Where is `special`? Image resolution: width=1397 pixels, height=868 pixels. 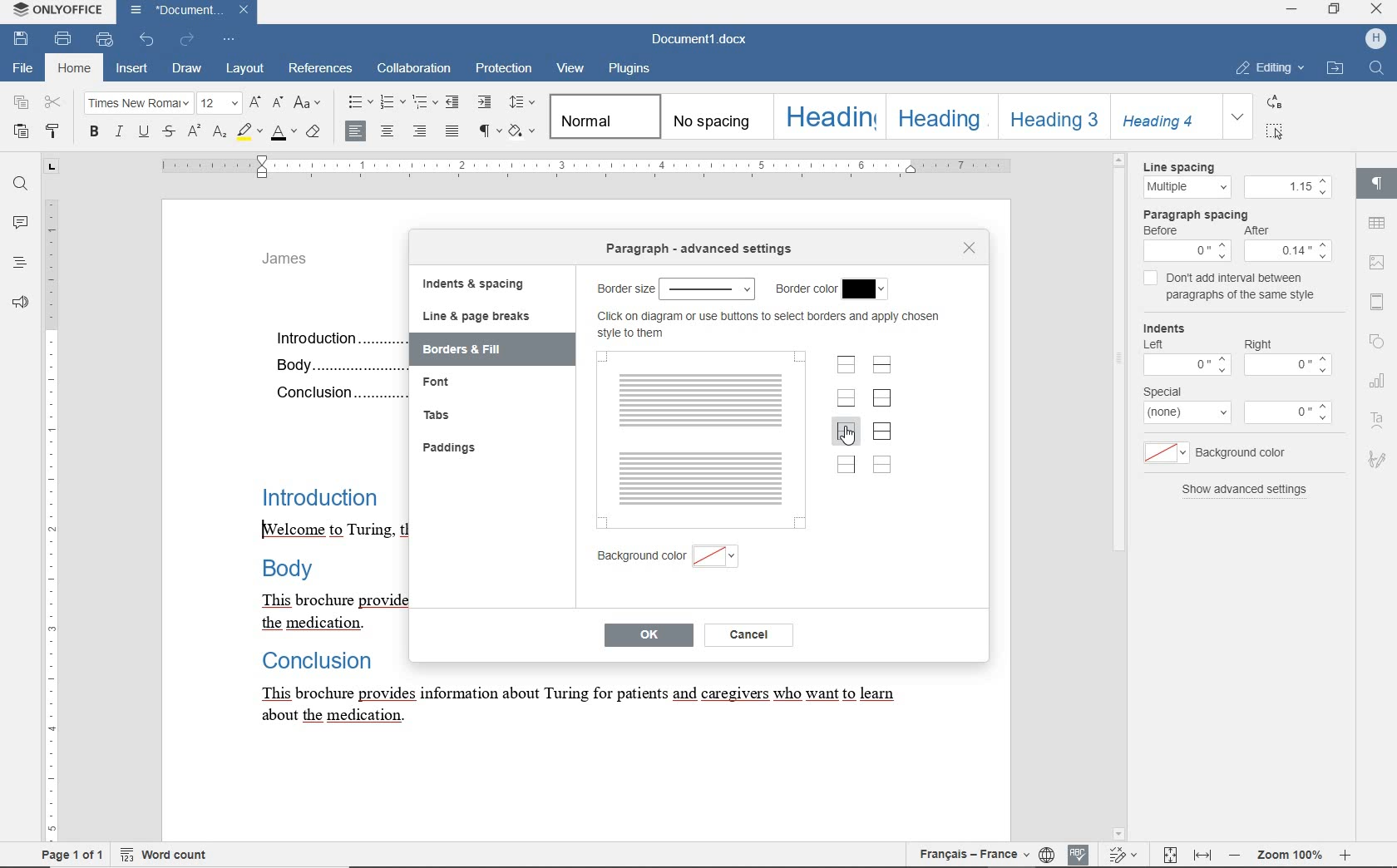 special is located at coordinates (1163, 391).